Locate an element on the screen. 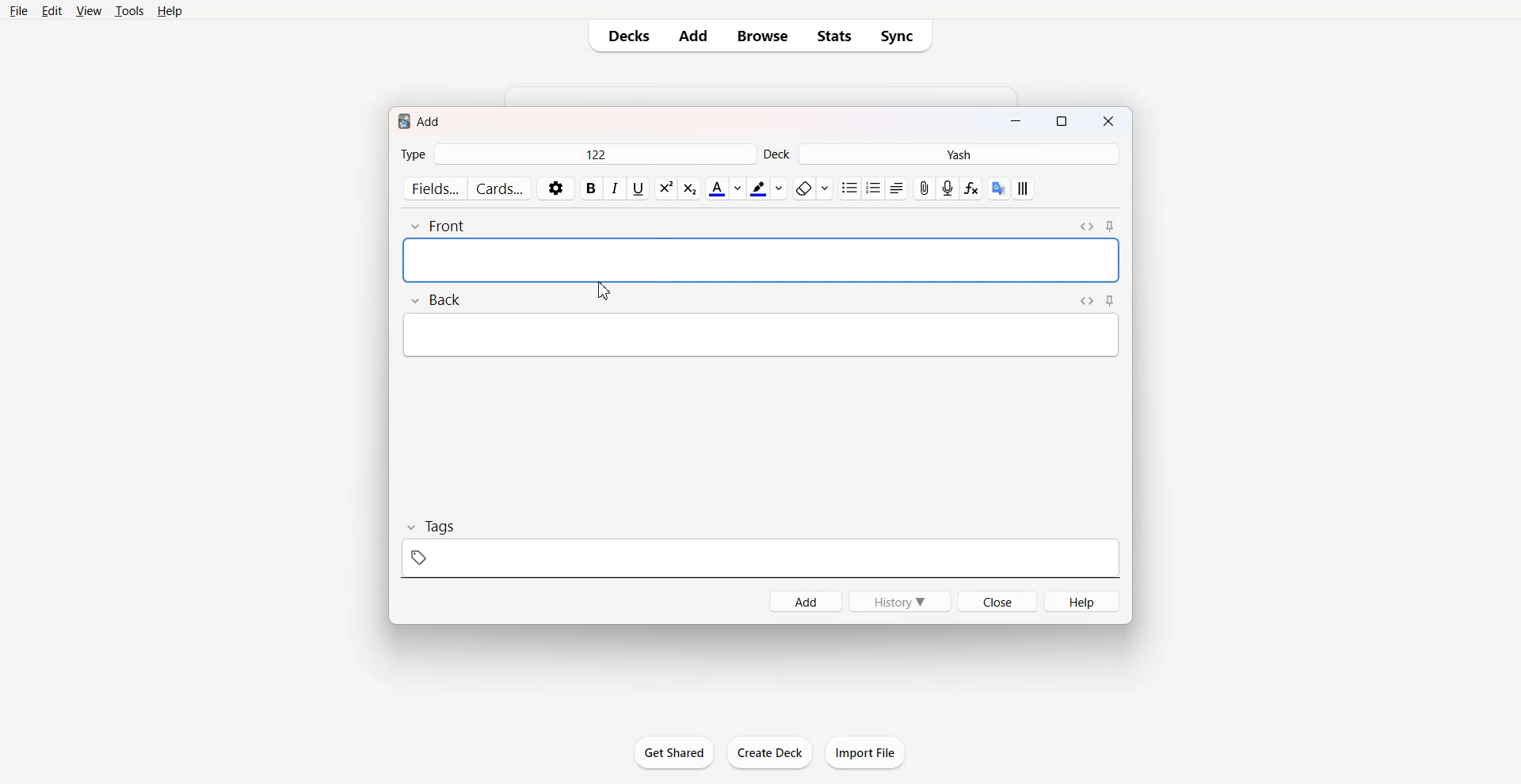 This screenshot has height=784, width=1521. Toggle HTML Editor is located at coordinates (1088, 300).